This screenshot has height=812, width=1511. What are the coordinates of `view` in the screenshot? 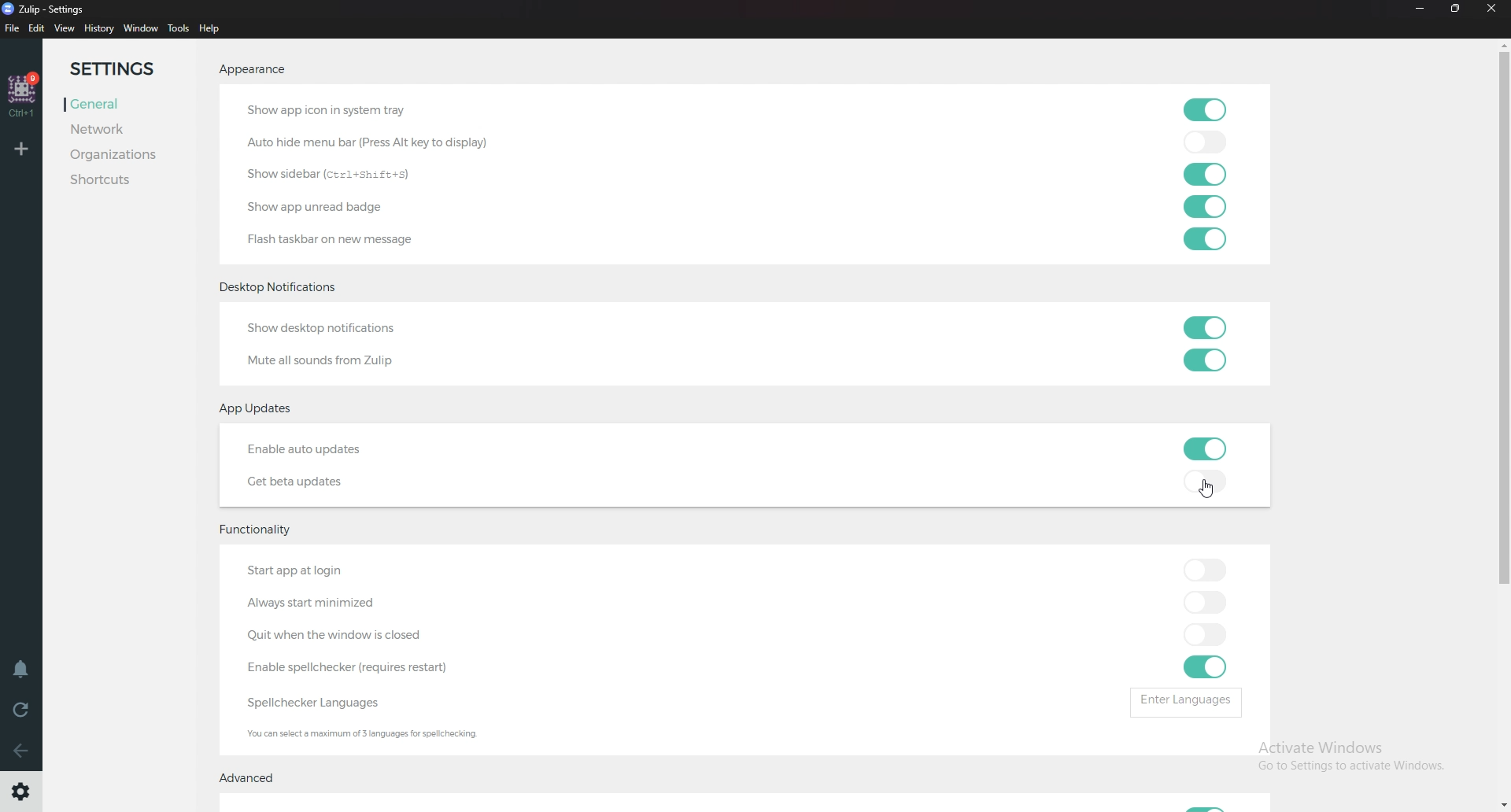 It's located at (65, 29).